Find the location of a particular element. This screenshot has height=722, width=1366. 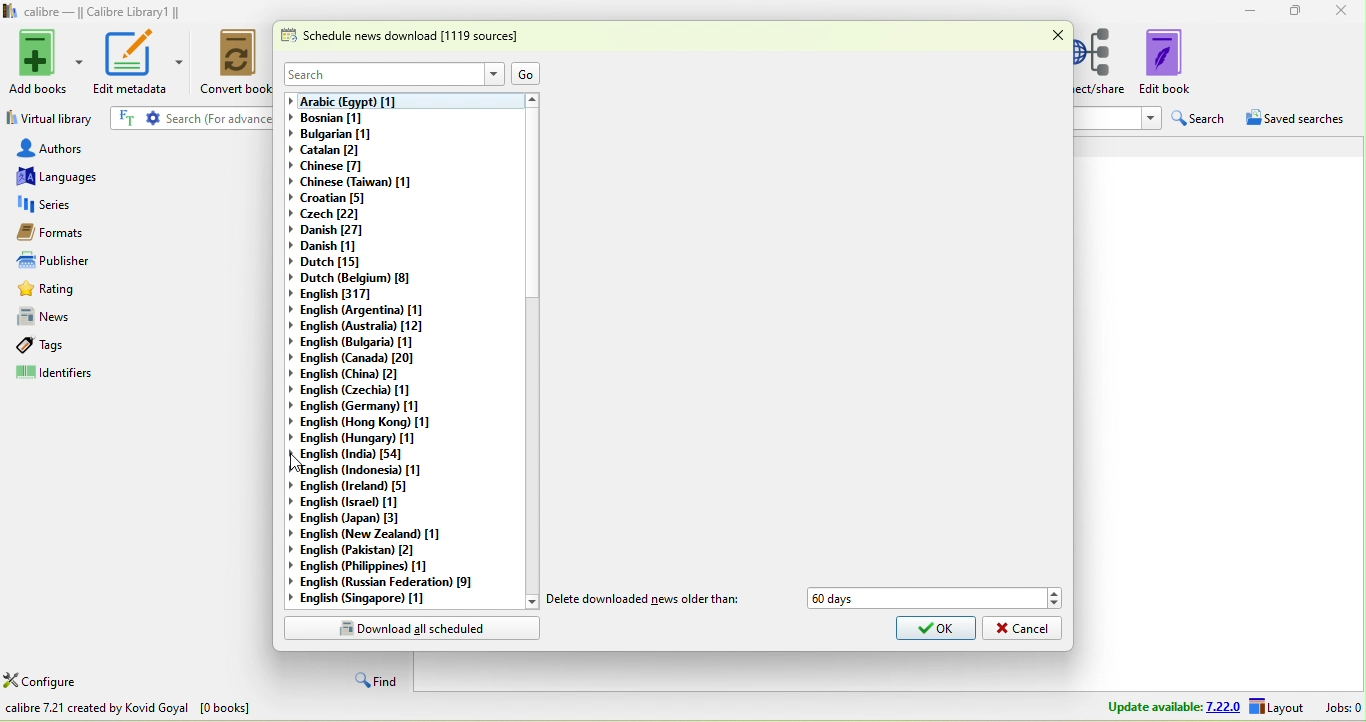

english(czechia)[1] is located at coordinates (367, 390).